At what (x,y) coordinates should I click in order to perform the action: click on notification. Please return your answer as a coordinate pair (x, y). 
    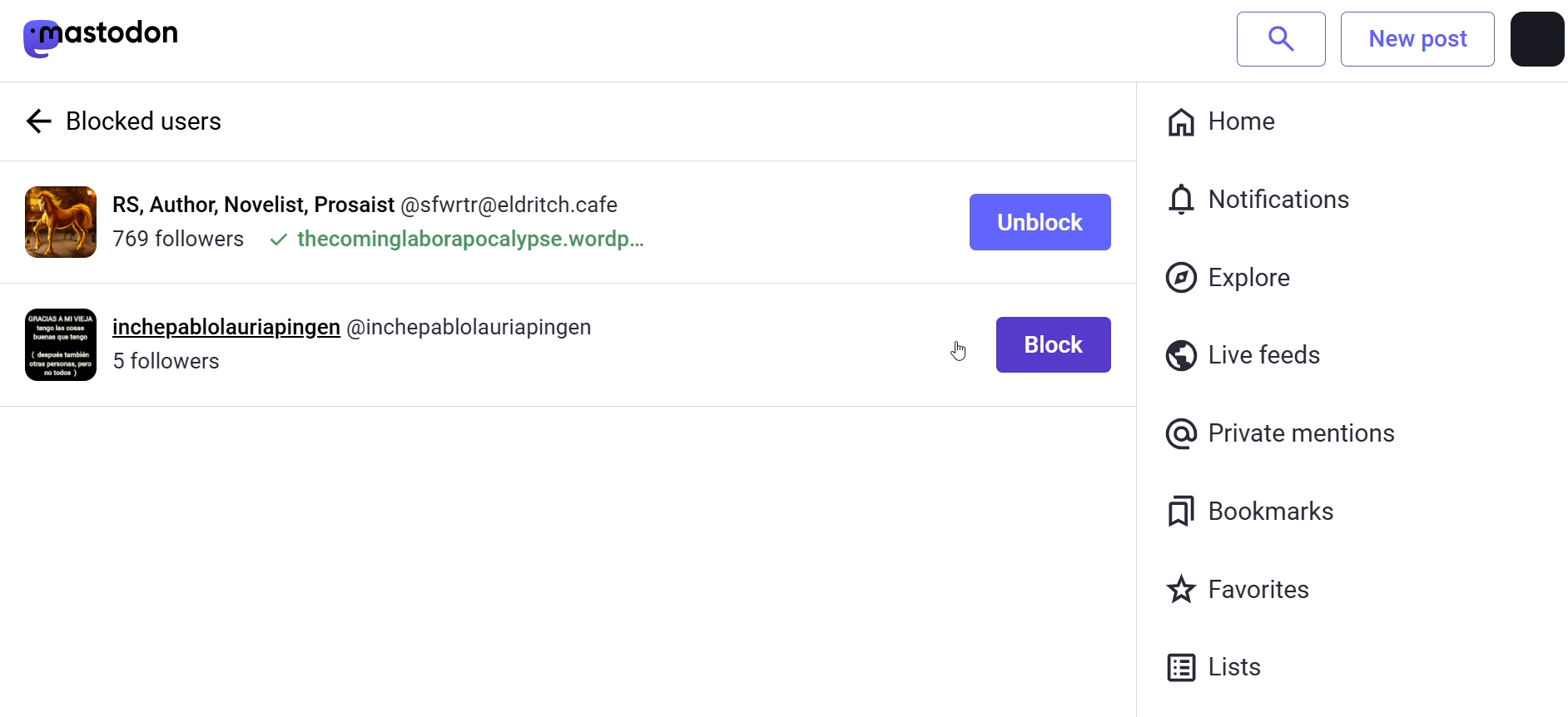
    Looking at the image, I should click on (1253, 196).